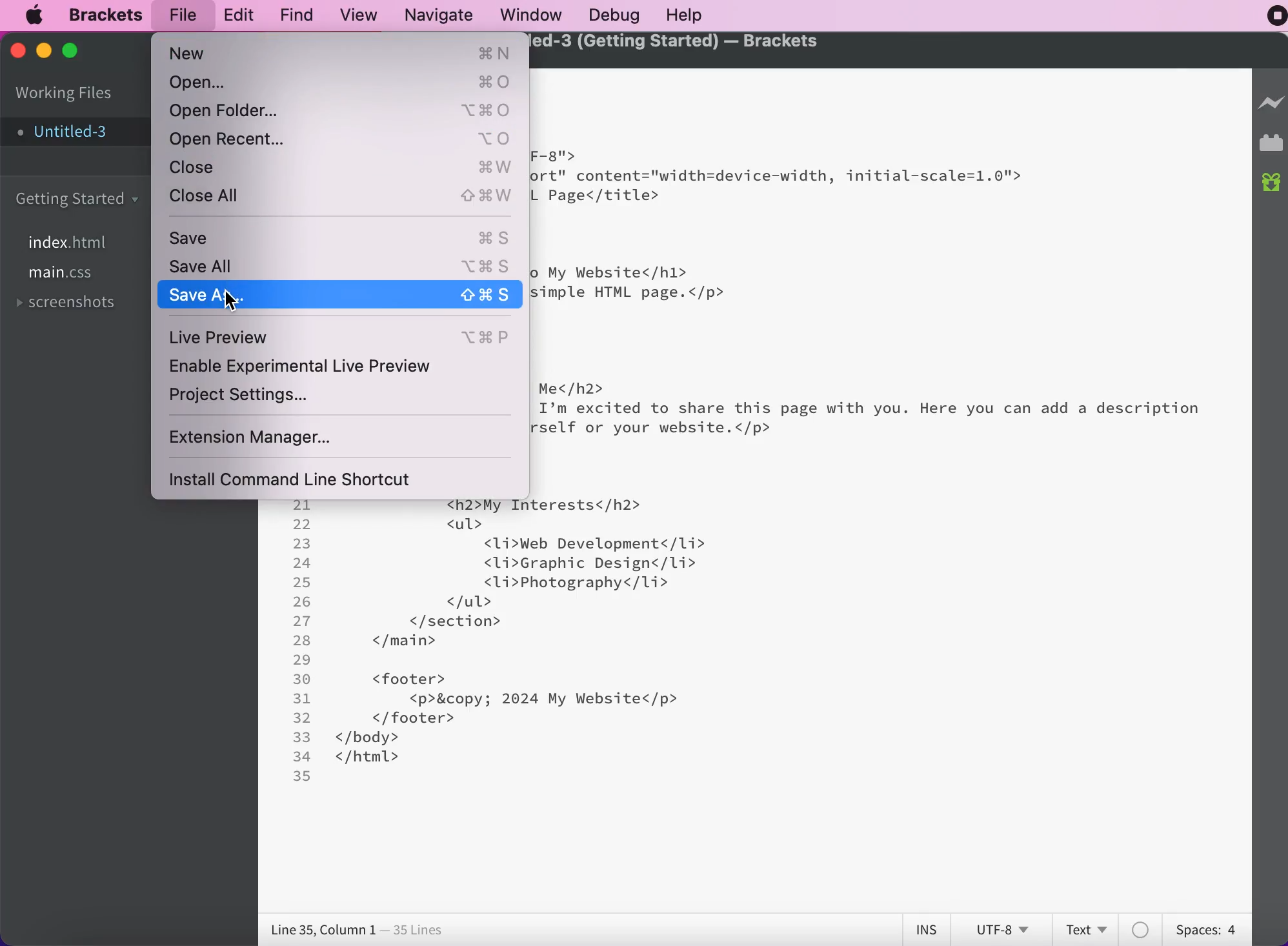 Image resolution: width=1288 pixels, height=946 pixels. I want to click on 21, so click(302, 505).